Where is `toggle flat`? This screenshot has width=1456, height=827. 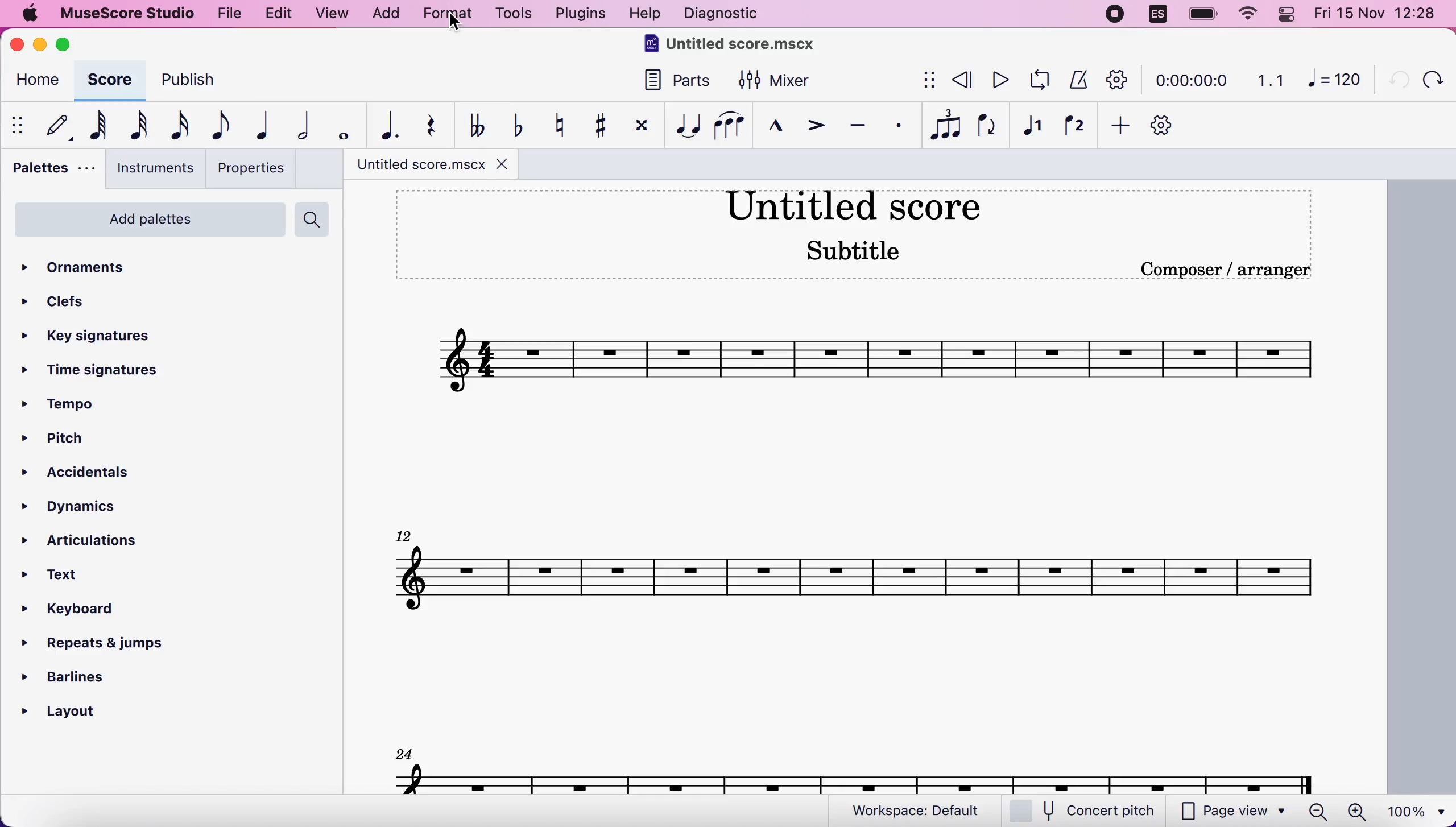
toggle flat is located at coordinates (515, 125).